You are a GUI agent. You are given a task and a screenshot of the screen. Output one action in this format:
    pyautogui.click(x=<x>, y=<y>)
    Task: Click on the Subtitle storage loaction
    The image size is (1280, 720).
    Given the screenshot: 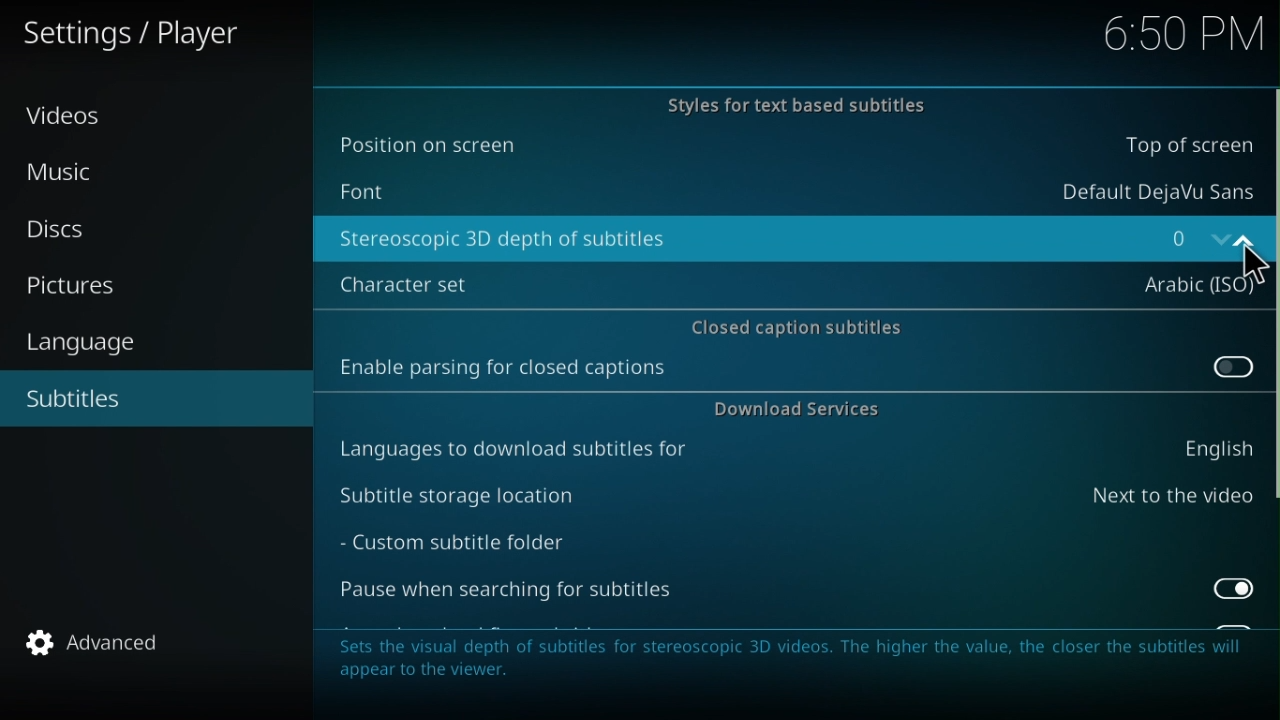 What is the action you would take?
    pyautogui.click(x=794, y=496)
    